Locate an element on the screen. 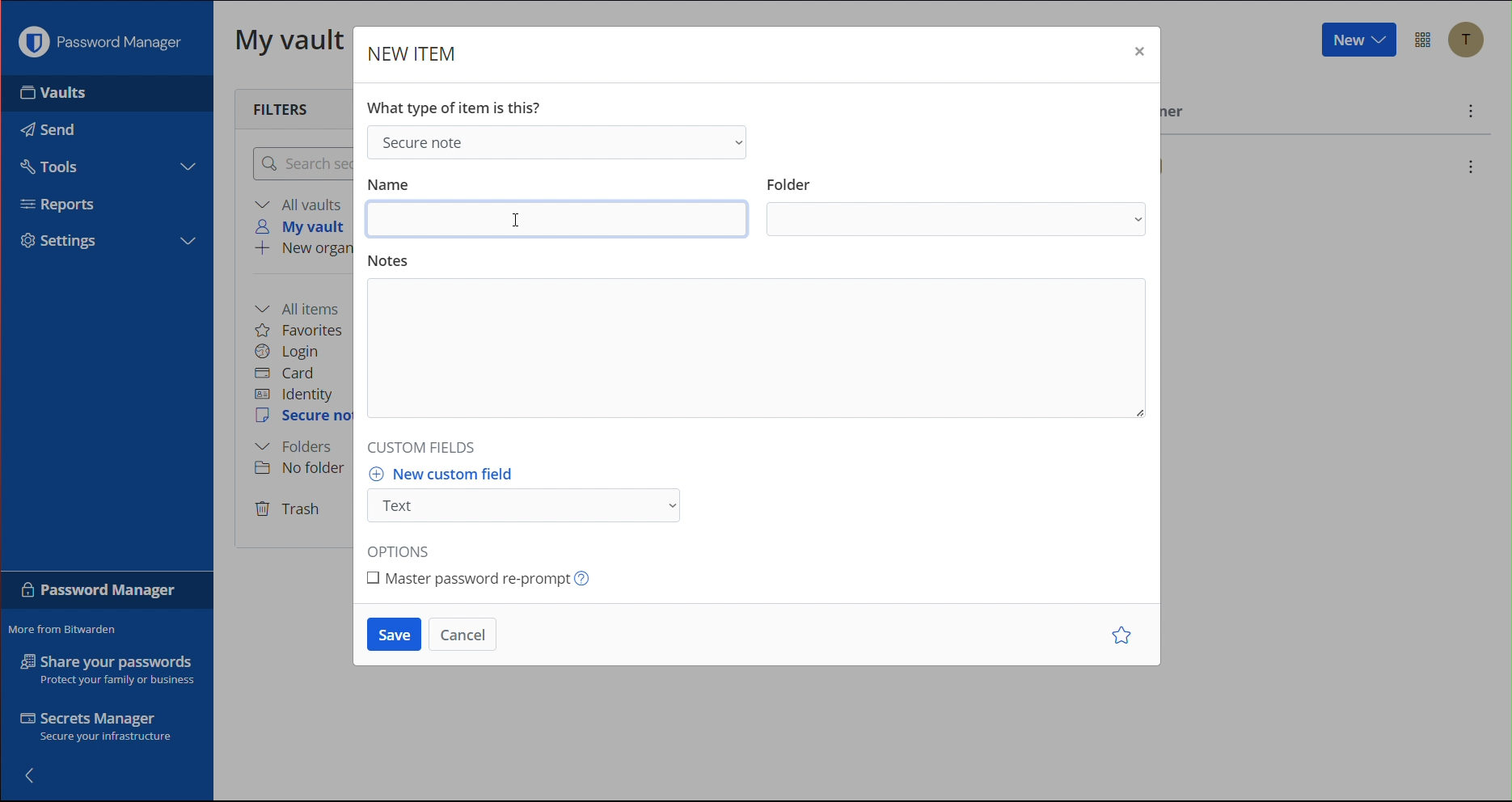  Text (dropdown) is located at coordinates (529, 505).